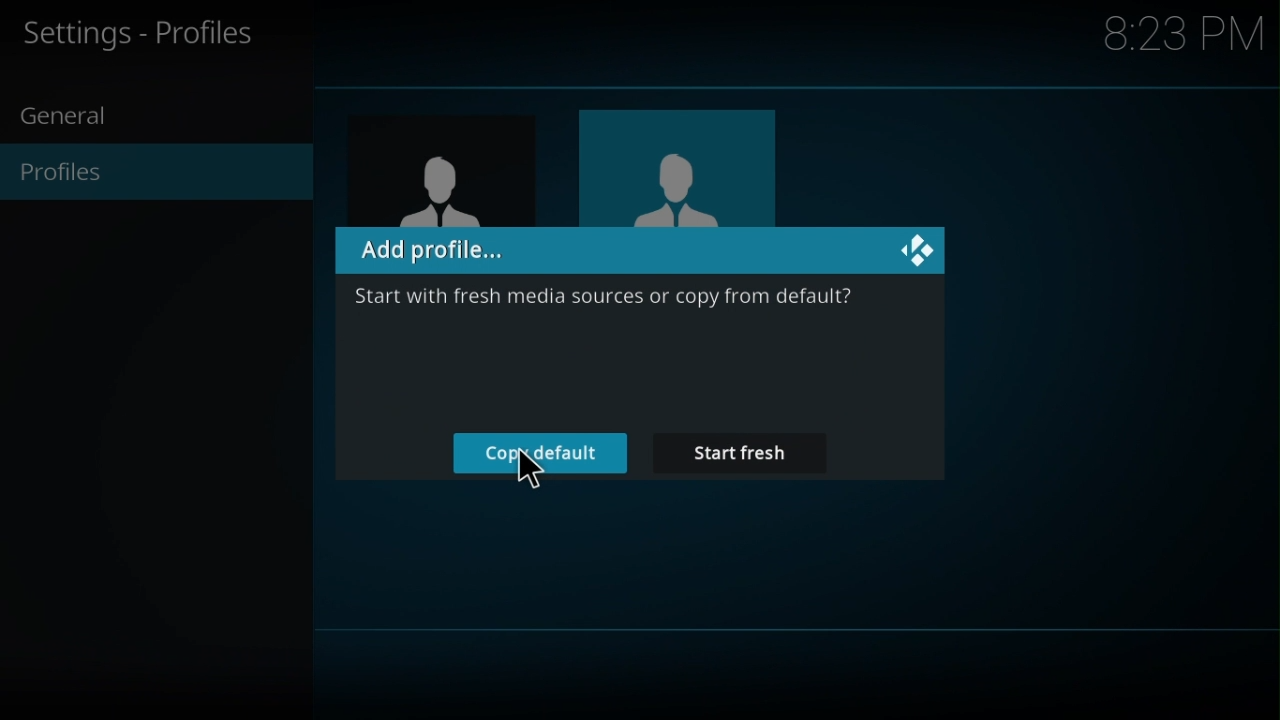 The width and height of the screenshot is (1280, 720). I want to click on image, so click(420, 172).